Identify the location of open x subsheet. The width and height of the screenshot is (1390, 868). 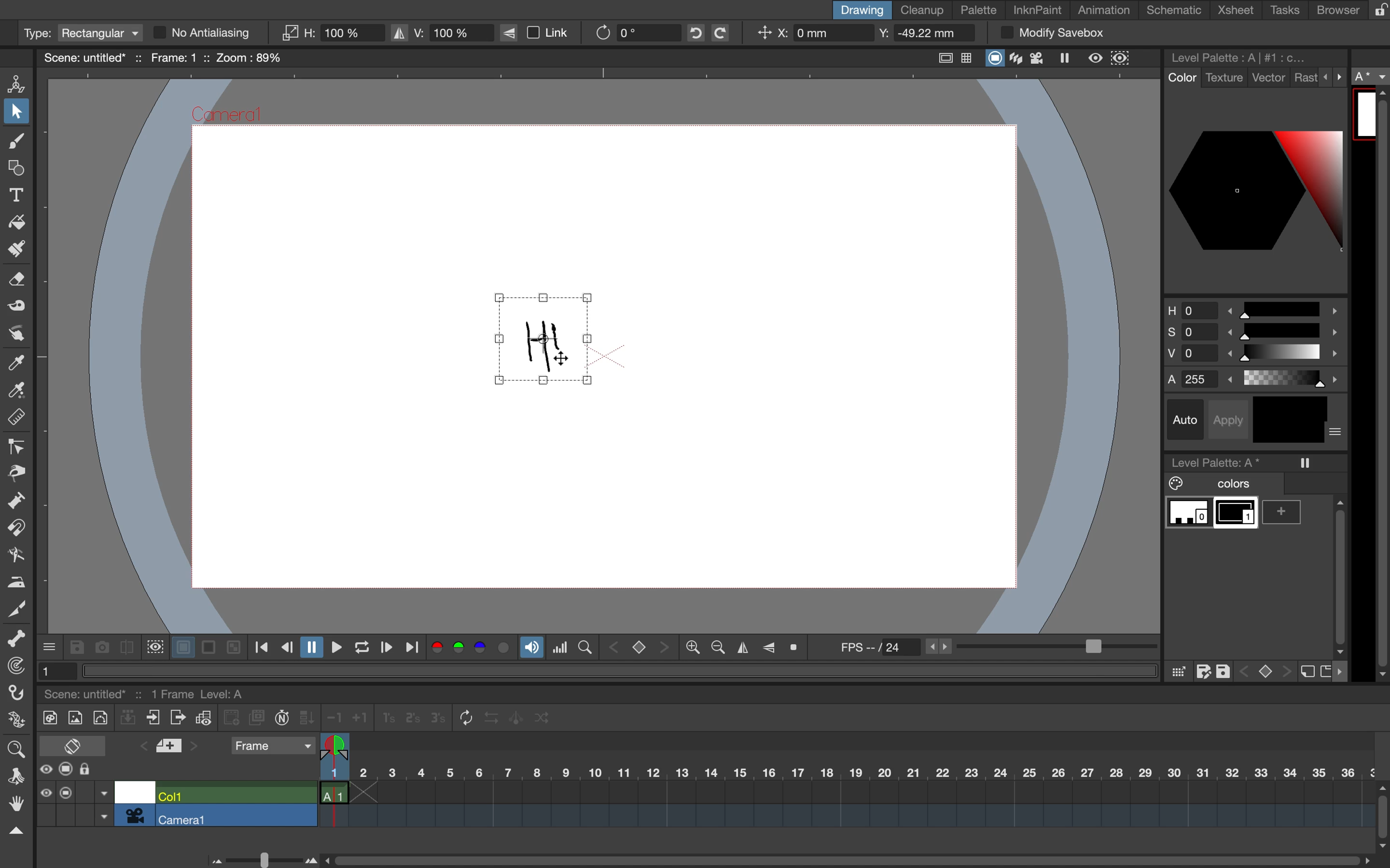
(176, 718).